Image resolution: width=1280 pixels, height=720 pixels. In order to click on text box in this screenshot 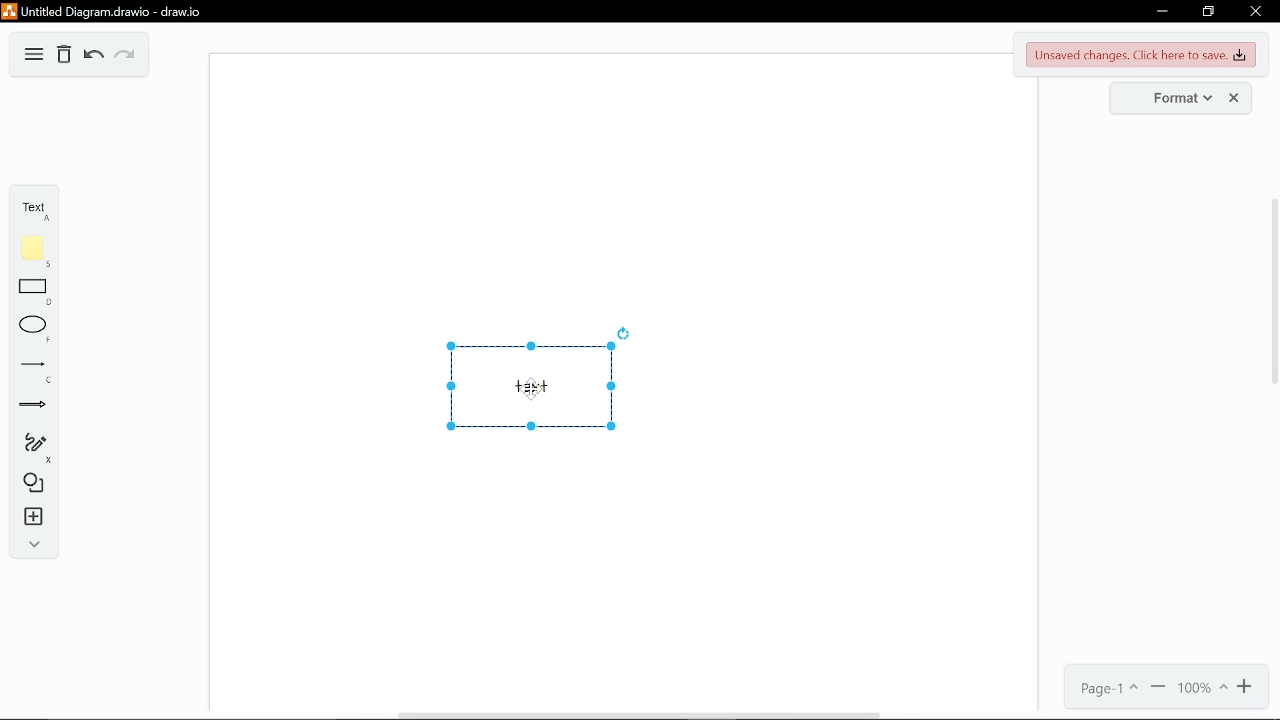, I will do `click(533, 386)`.